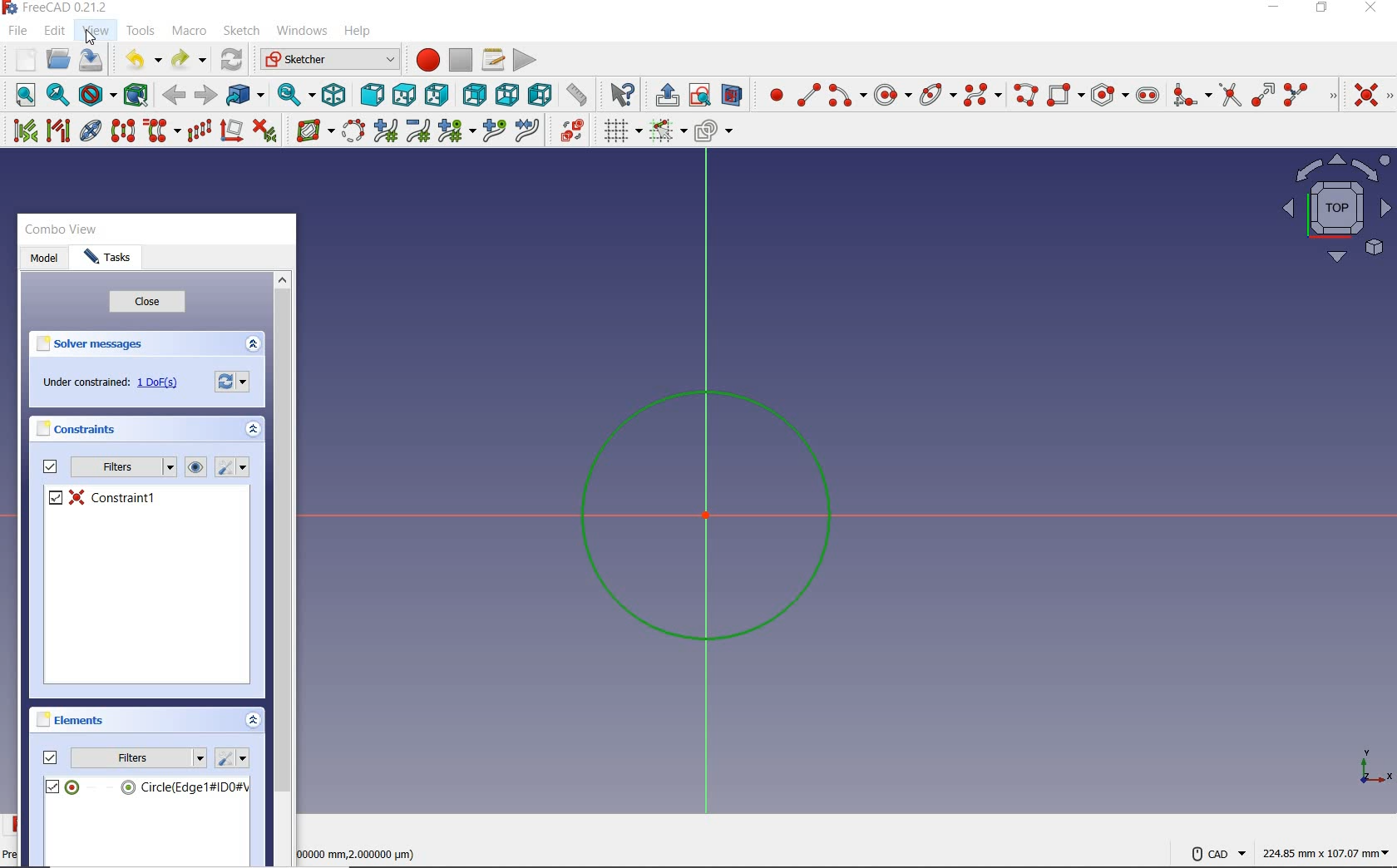 Image resolution: width=1397 pixels, height=868 pixels. Describe the element at coordinates (719, 517) in the screenshot. I see `sketch zoomed in` at that location.